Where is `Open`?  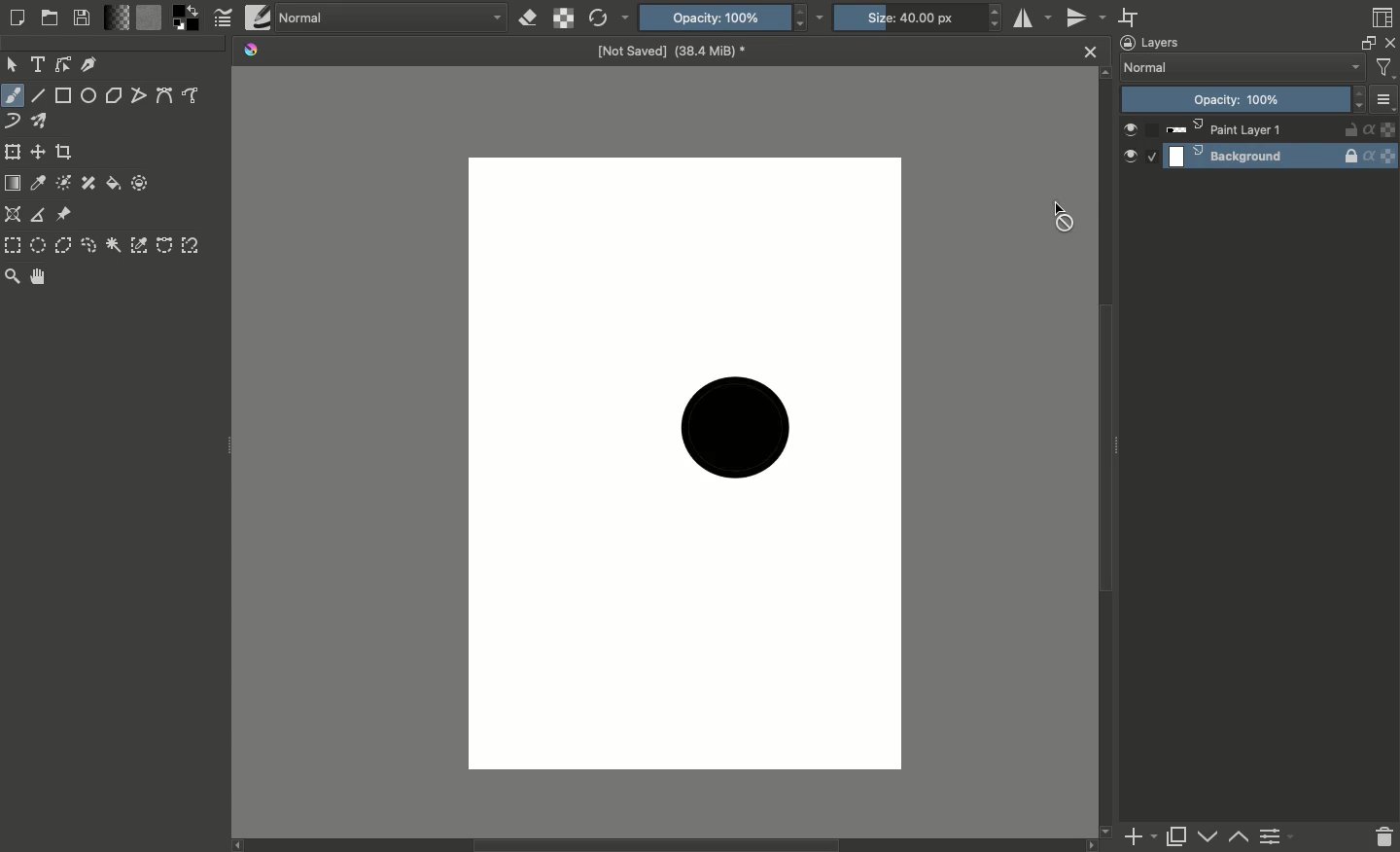
Open is located at coordinates (51, 19).